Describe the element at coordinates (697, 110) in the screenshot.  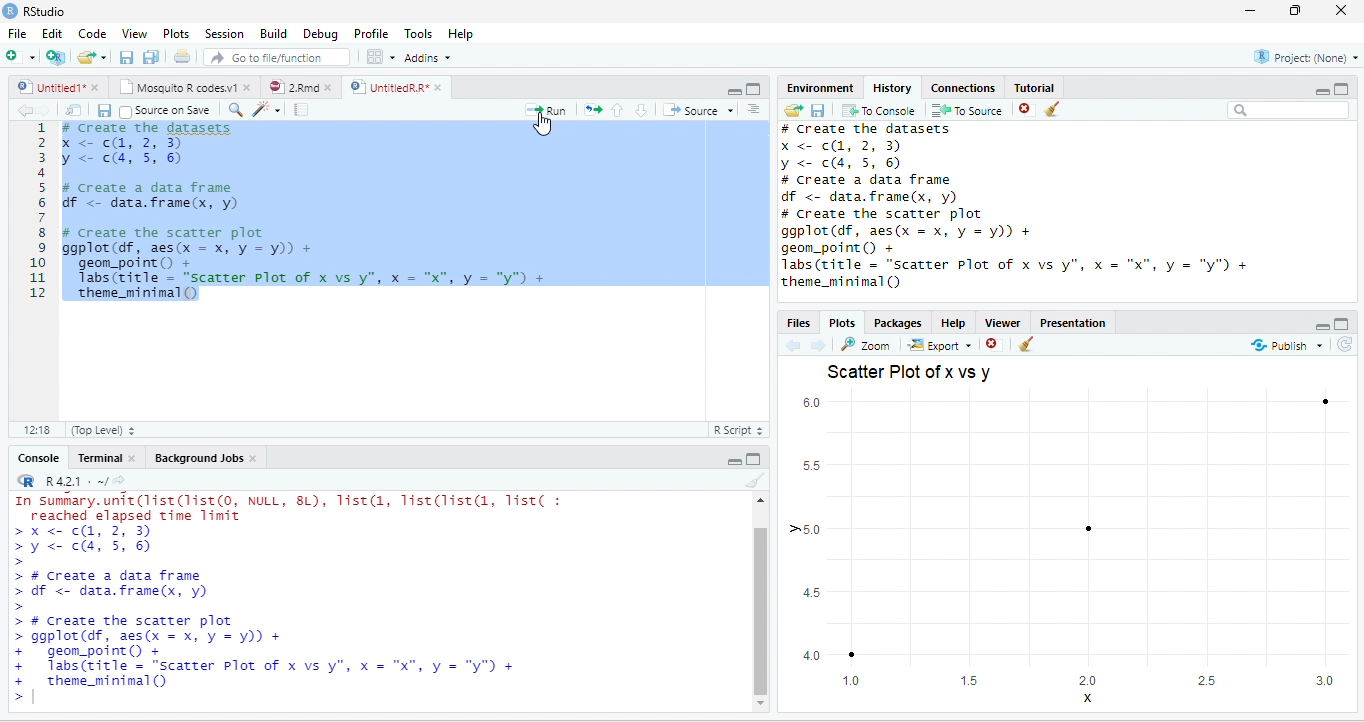
I see `Source` at that location.